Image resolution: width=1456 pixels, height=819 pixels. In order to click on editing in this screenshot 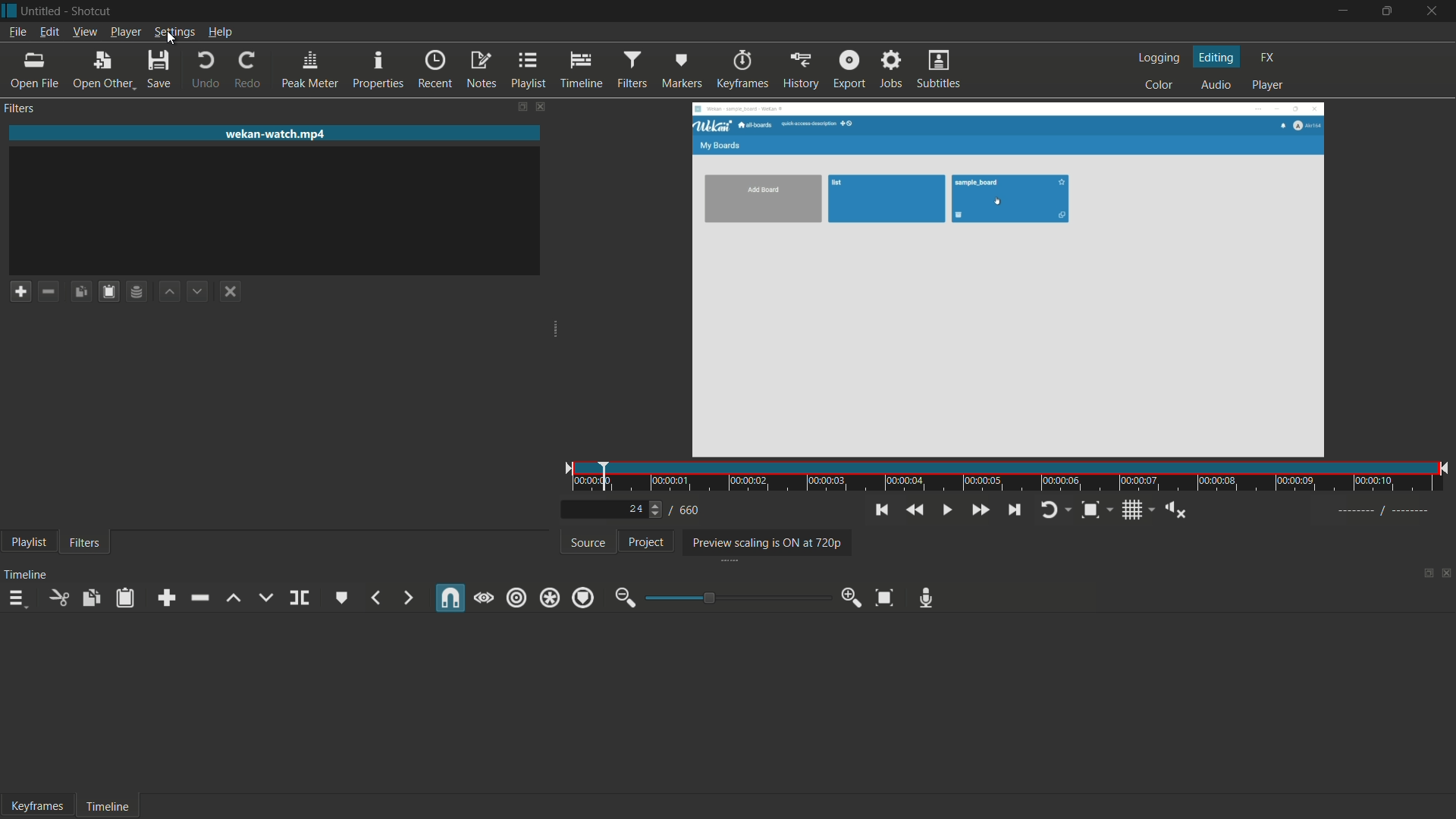, I will do `click(1216, 57)`.